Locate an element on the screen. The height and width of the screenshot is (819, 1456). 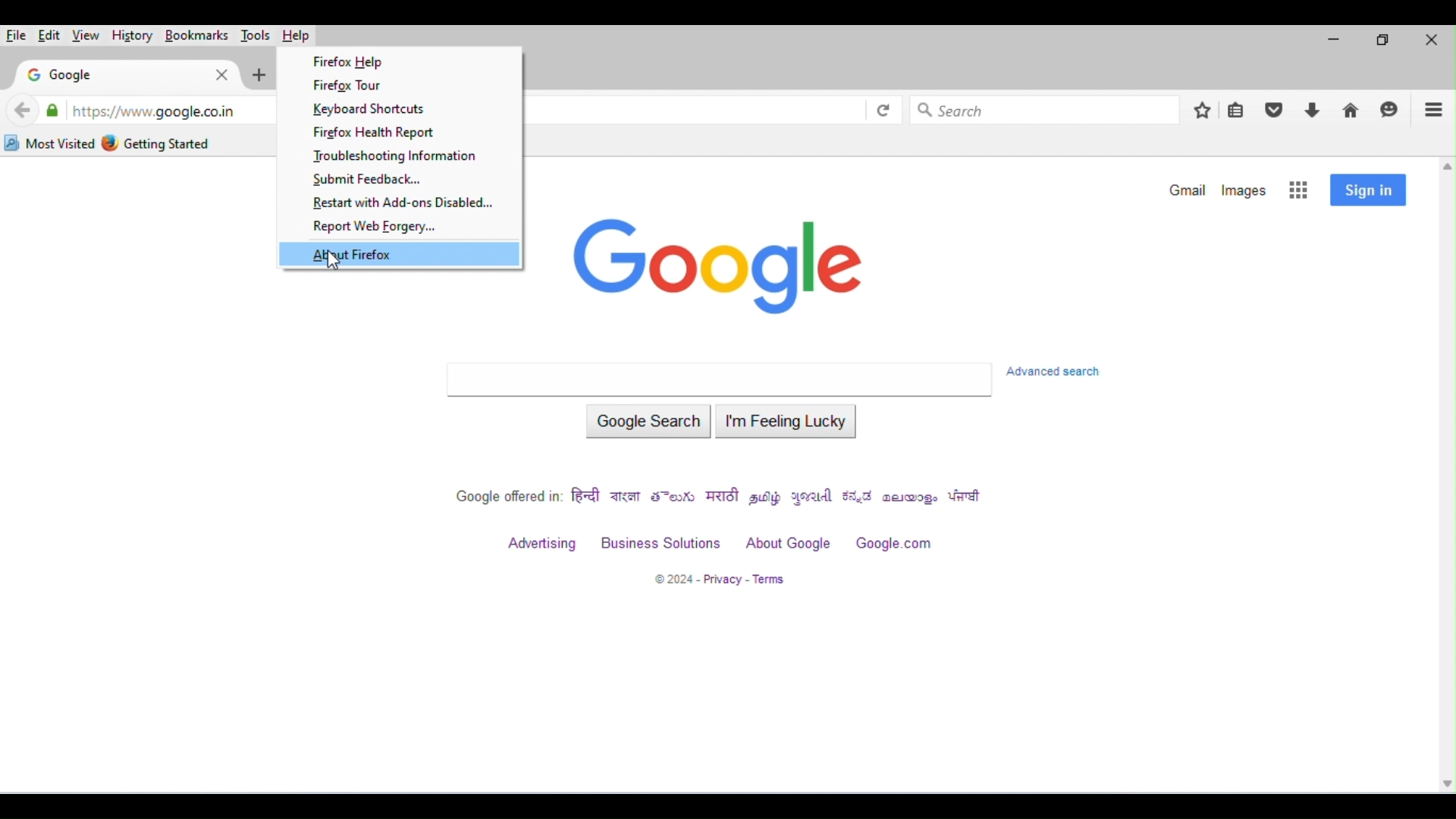
google is located at coordinates (62, 76).